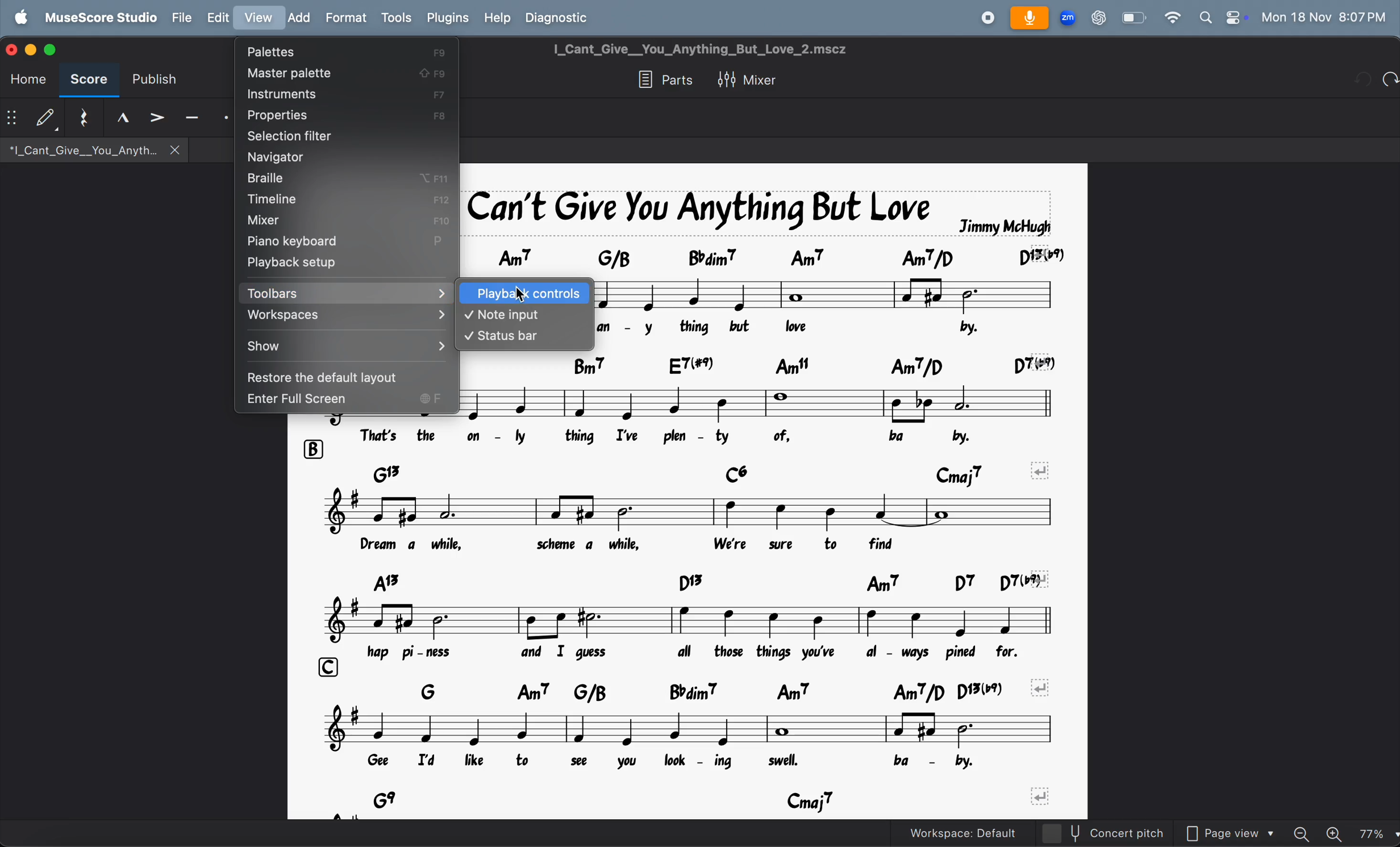  What do you see at coordinates (348, 291) in the screenshot?
I see `toolbars` at bounding box center [348, 291].